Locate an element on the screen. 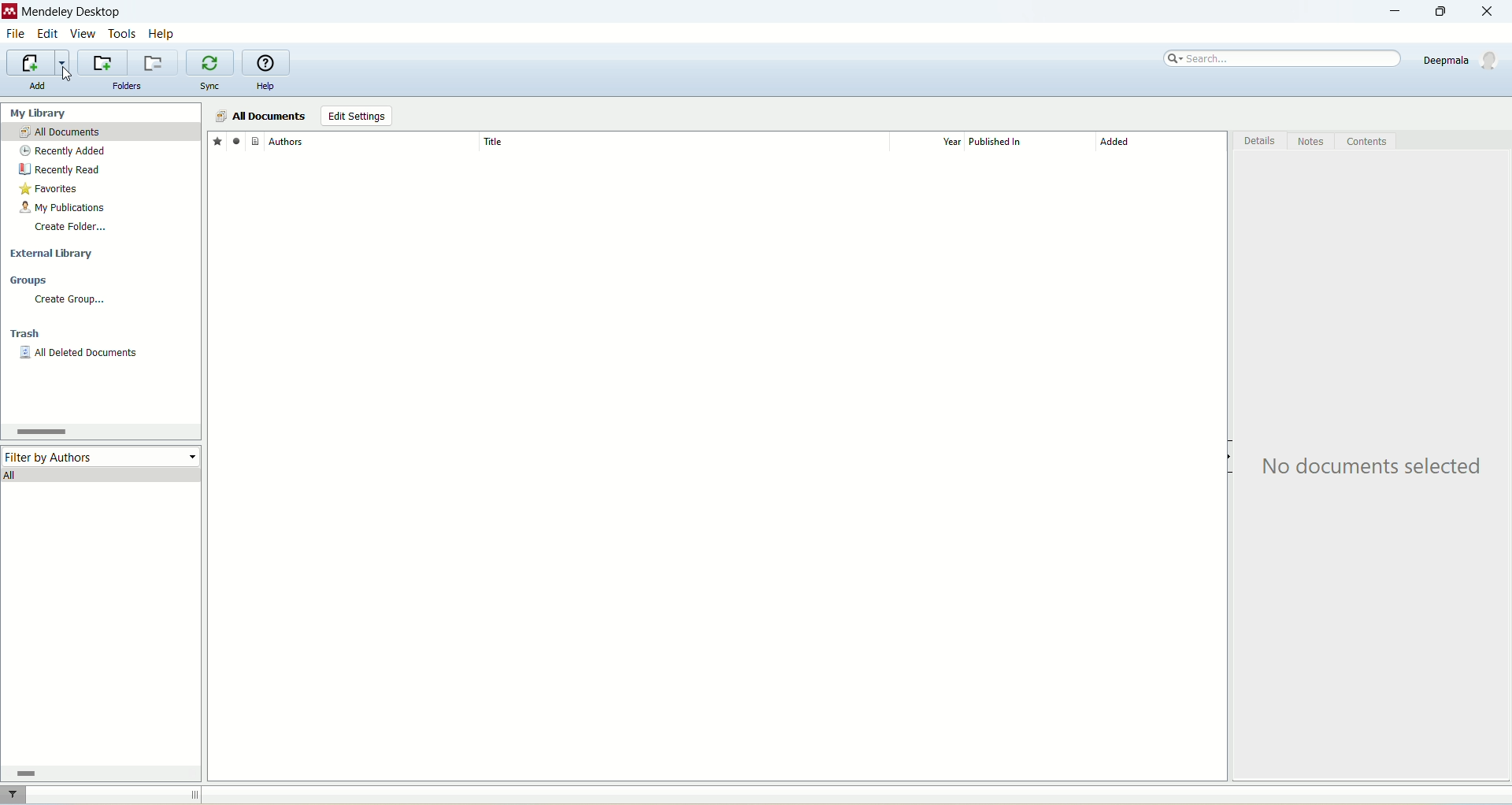 Image resolution: width=1512 pixels, height=805 pixels. filter by author is located at coordinates (102, 455).